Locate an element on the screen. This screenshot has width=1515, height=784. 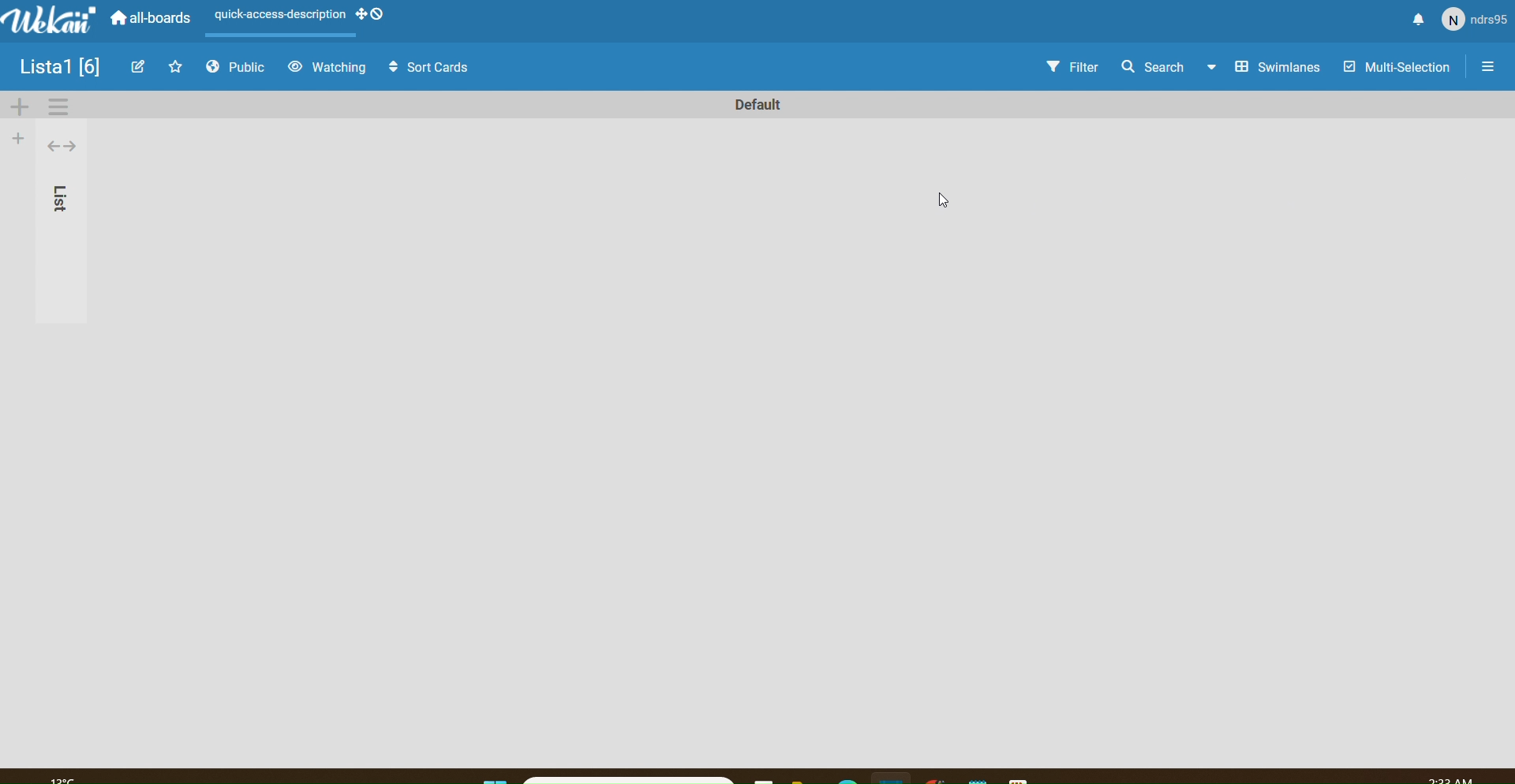
desktop drag handles is located at coordinates (375, 17).